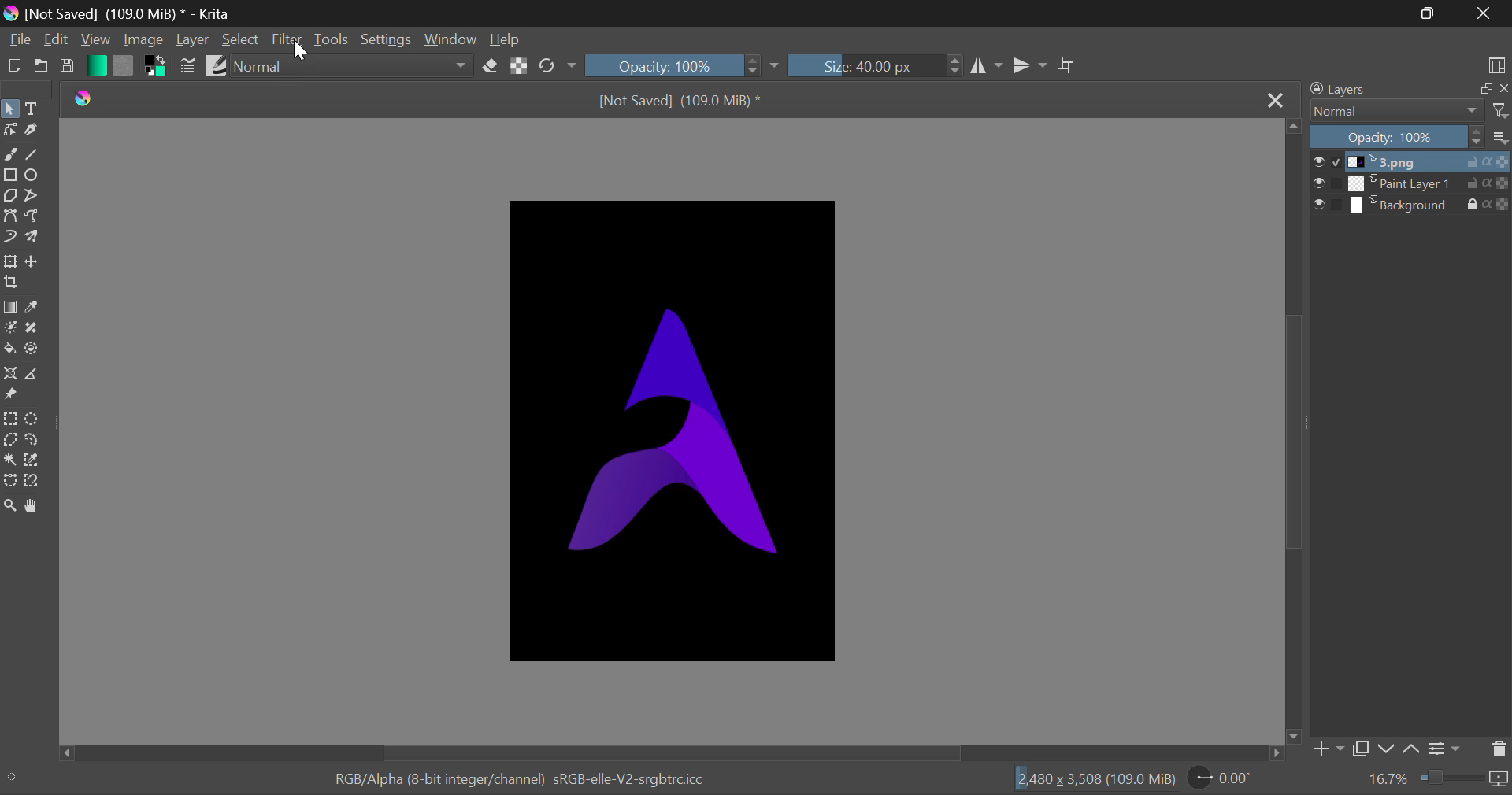 The image size is (1512, 795). I want to click on [Not Saved] (109.0 MiB) * - Krita, so click(129, 15).